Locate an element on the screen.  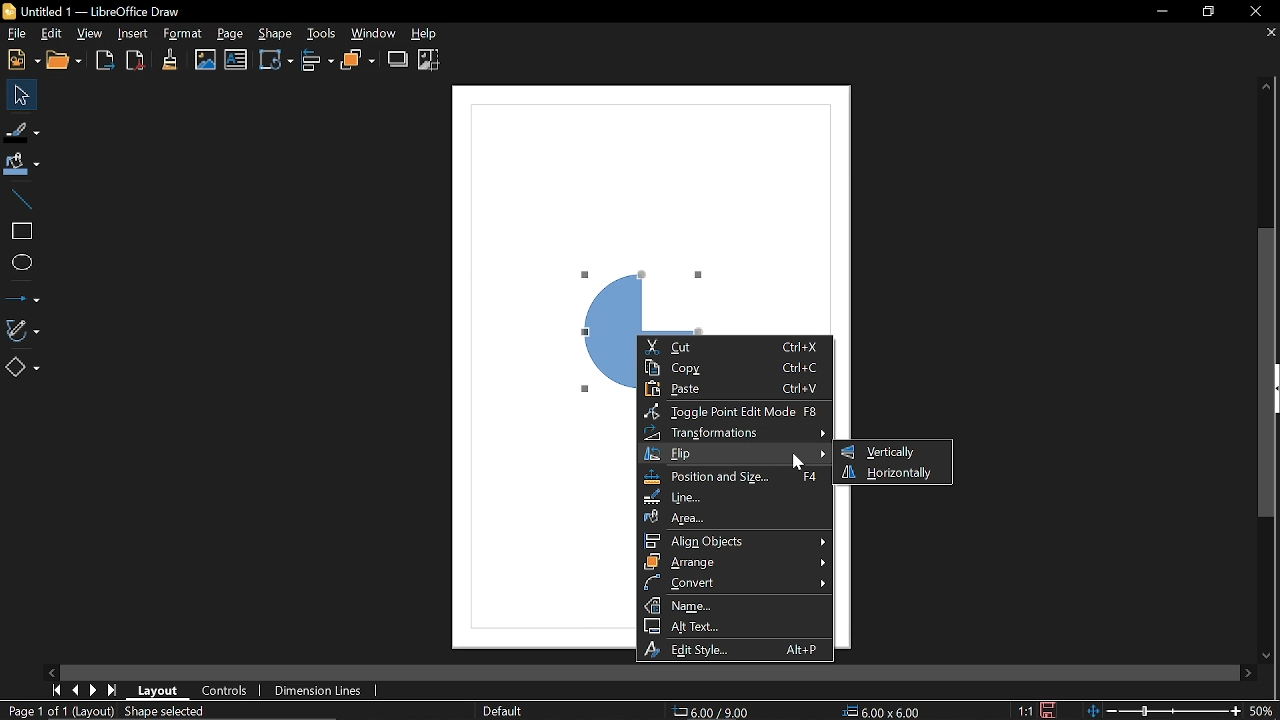
Size is located at coordinates (883, 711).